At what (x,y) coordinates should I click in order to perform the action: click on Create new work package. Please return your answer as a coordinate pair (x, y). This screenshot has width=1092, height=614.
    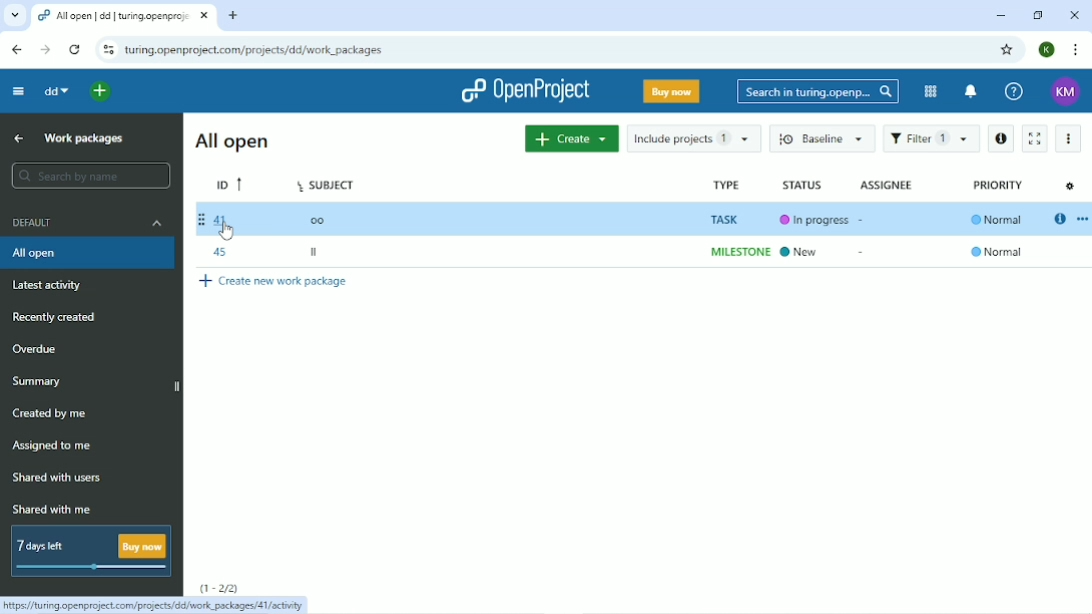
    Looking at the image, I should click on (273, 283).